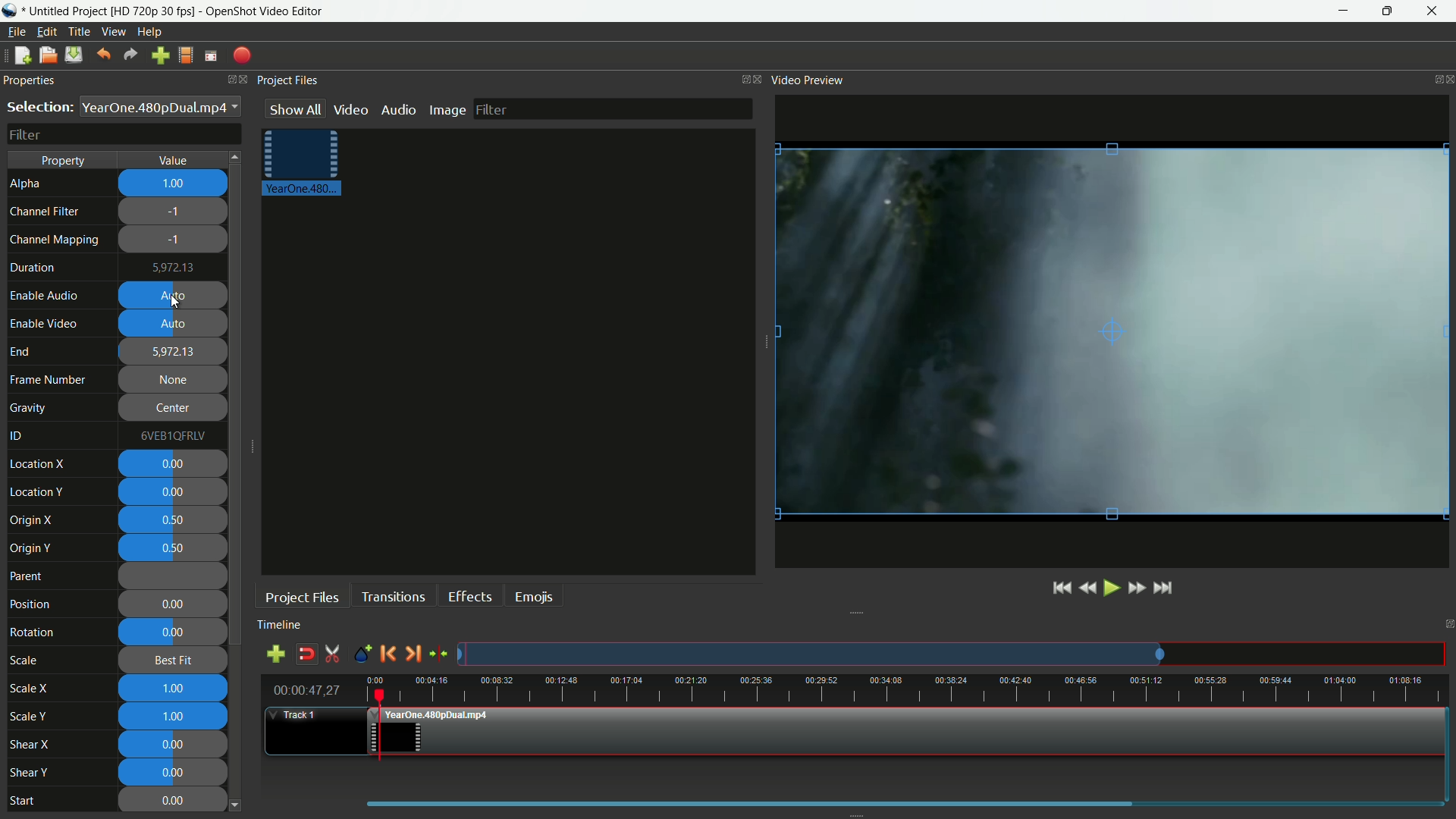 The image size is (1456, 819). What do you see at coordinates (331, 654) in the screenshot?
I see `enable razor` at bounding box center [331, 654].